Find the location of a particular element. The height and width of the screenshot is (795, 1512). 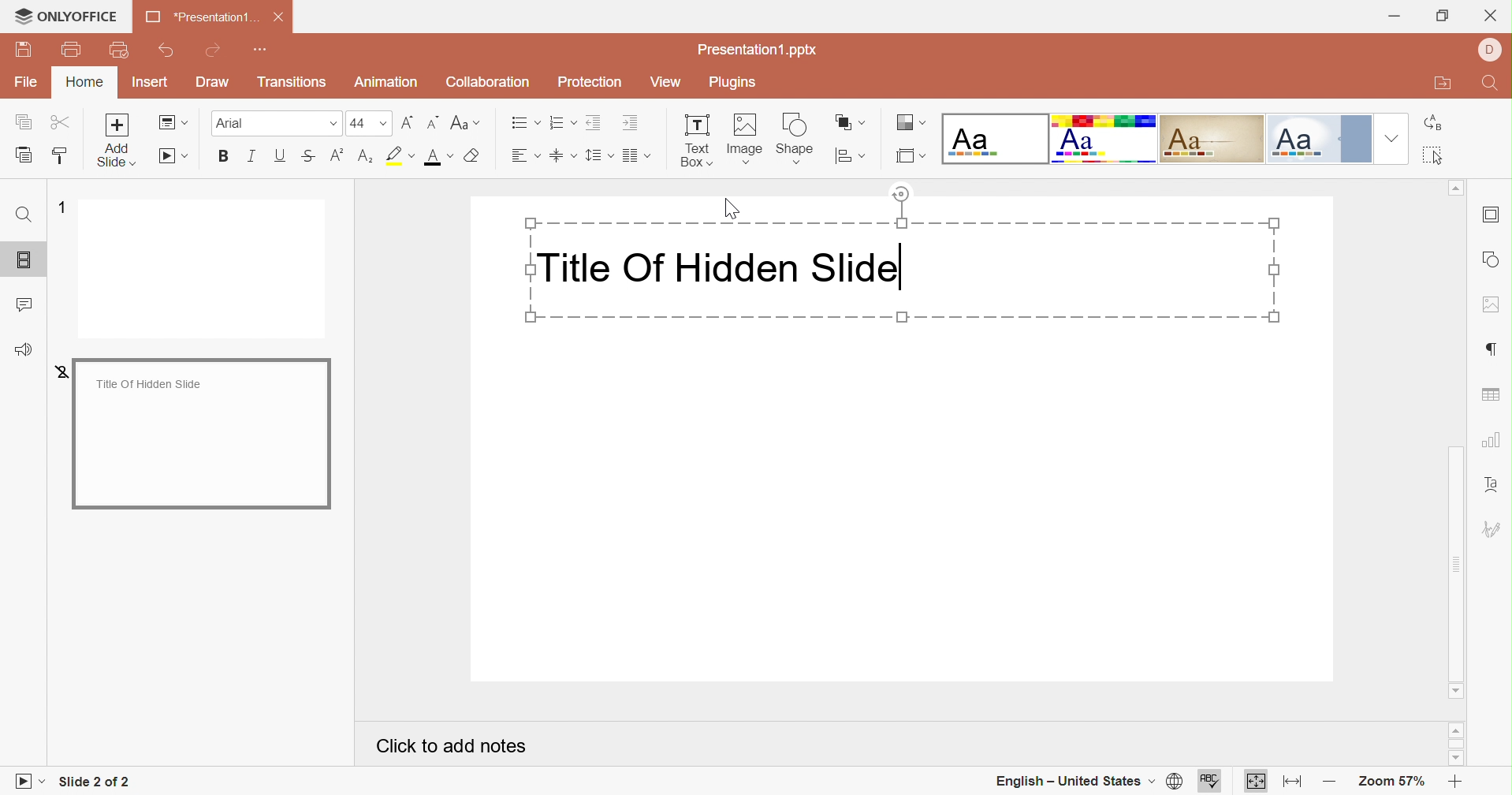

Increment font size is located at coordinates (408, 122).